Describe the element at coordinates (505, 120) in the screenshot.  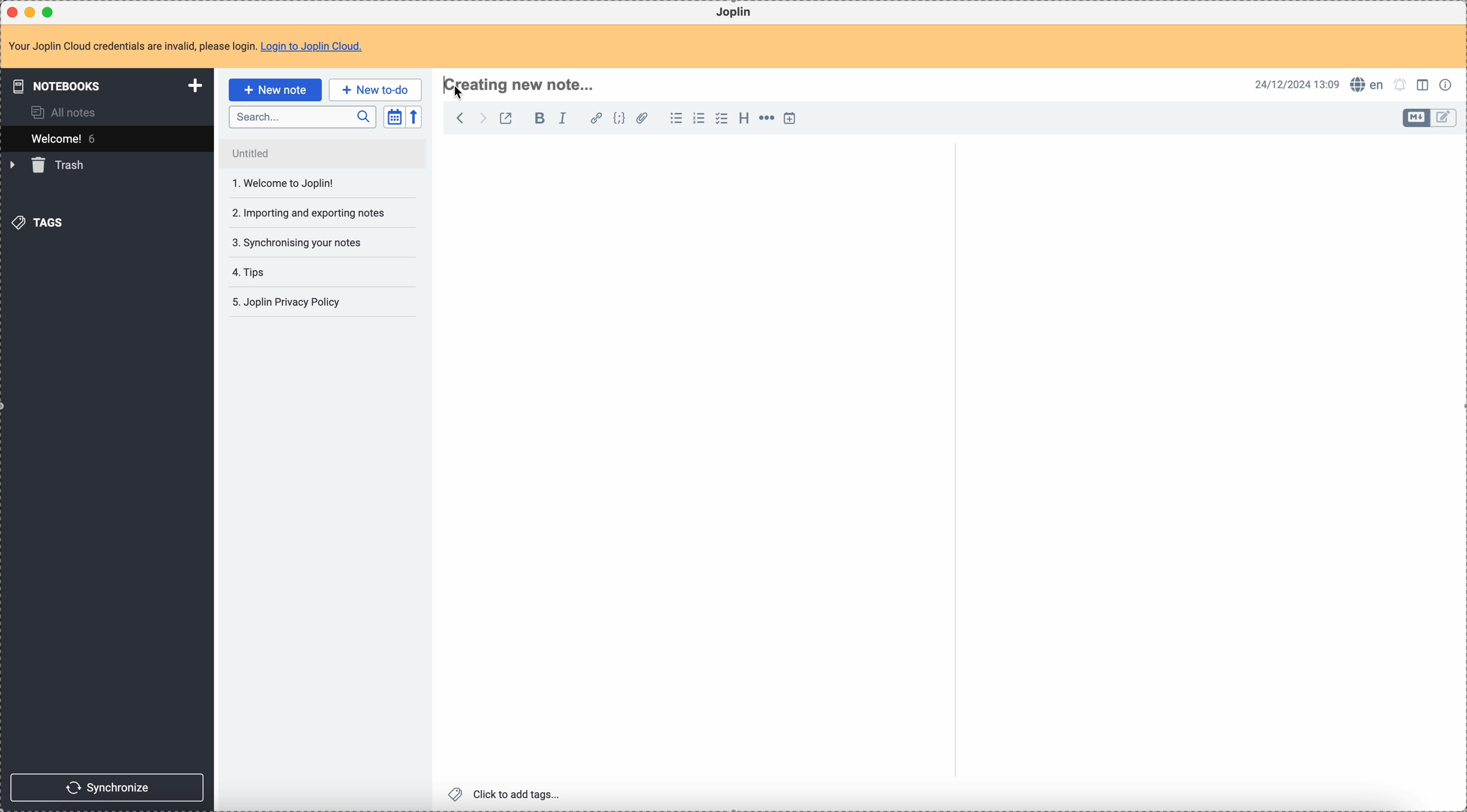
I see `toggle external editing` at that location.